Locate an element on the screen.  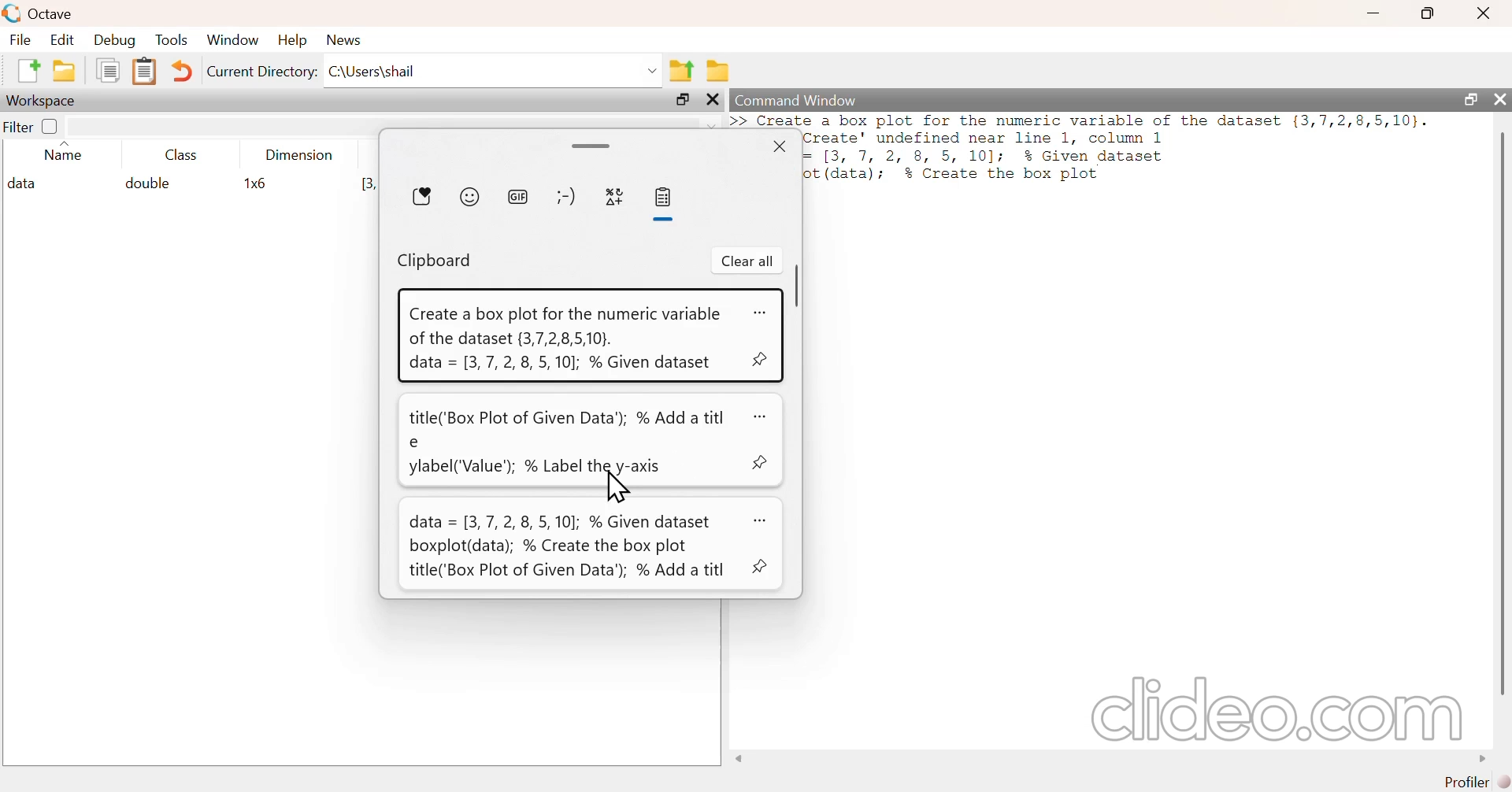
browse directories is located at coordinates (721, 72).